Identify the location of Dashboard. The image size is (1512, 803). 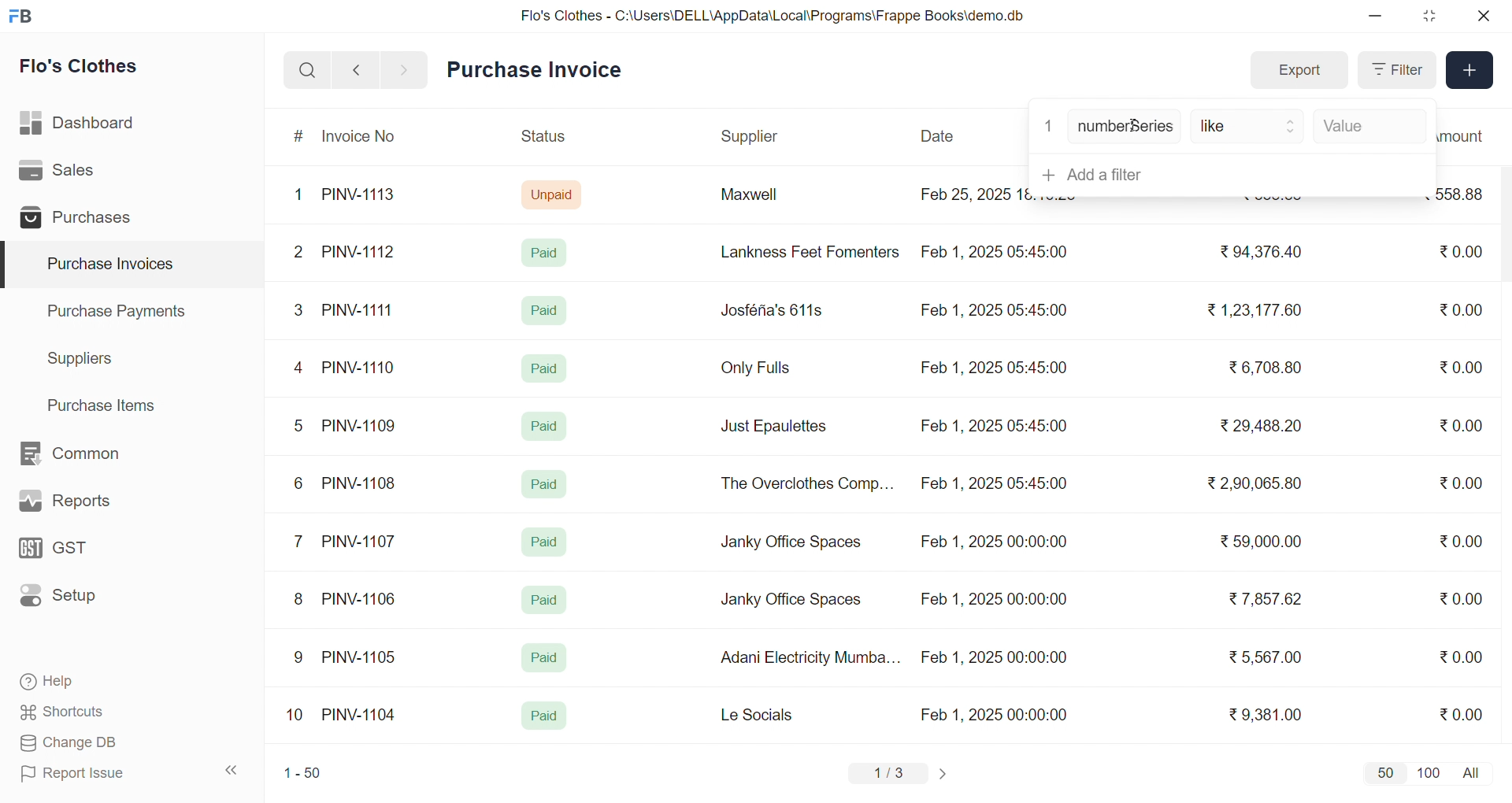
(82, 126).